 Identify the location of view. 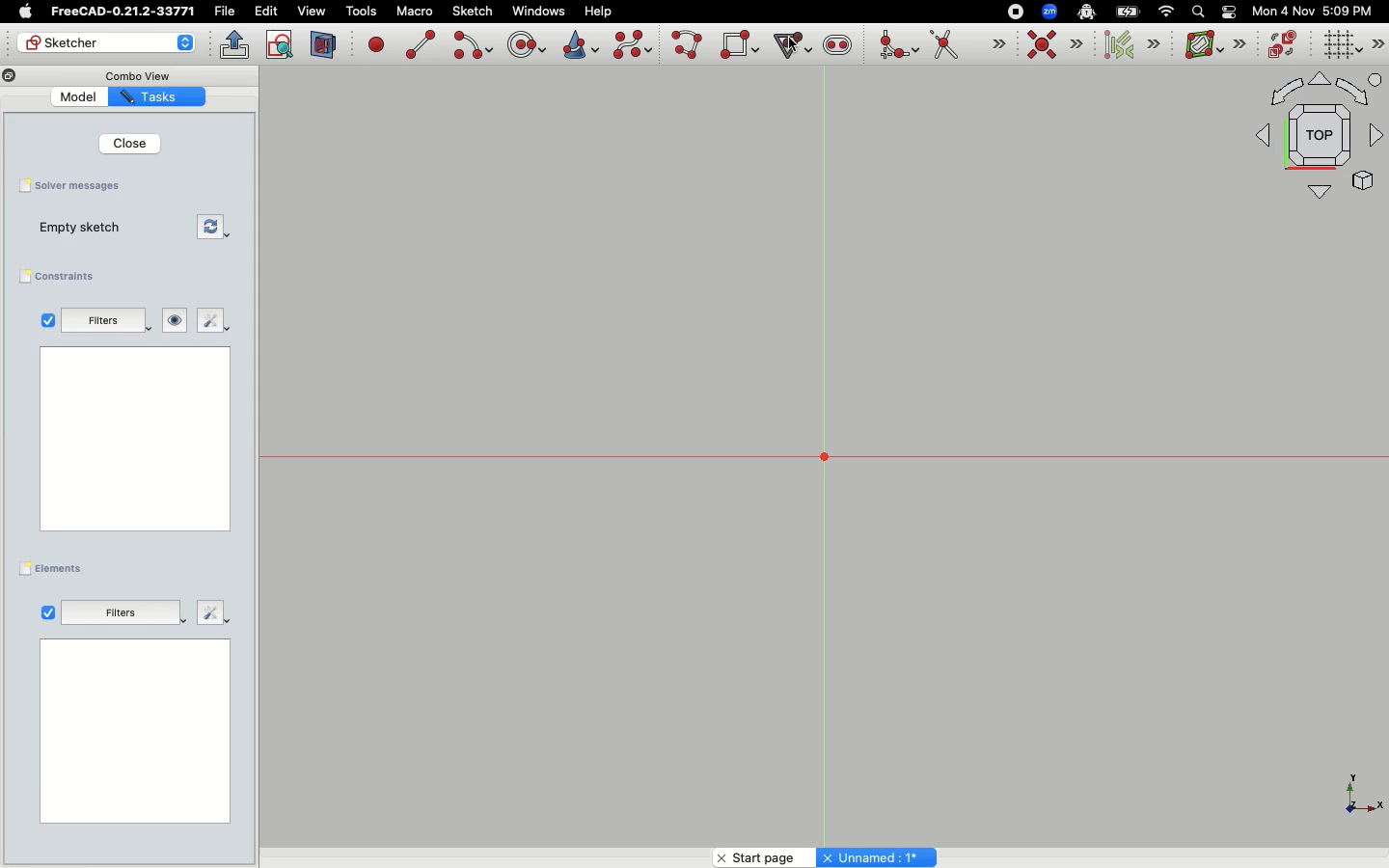
(312, 11).